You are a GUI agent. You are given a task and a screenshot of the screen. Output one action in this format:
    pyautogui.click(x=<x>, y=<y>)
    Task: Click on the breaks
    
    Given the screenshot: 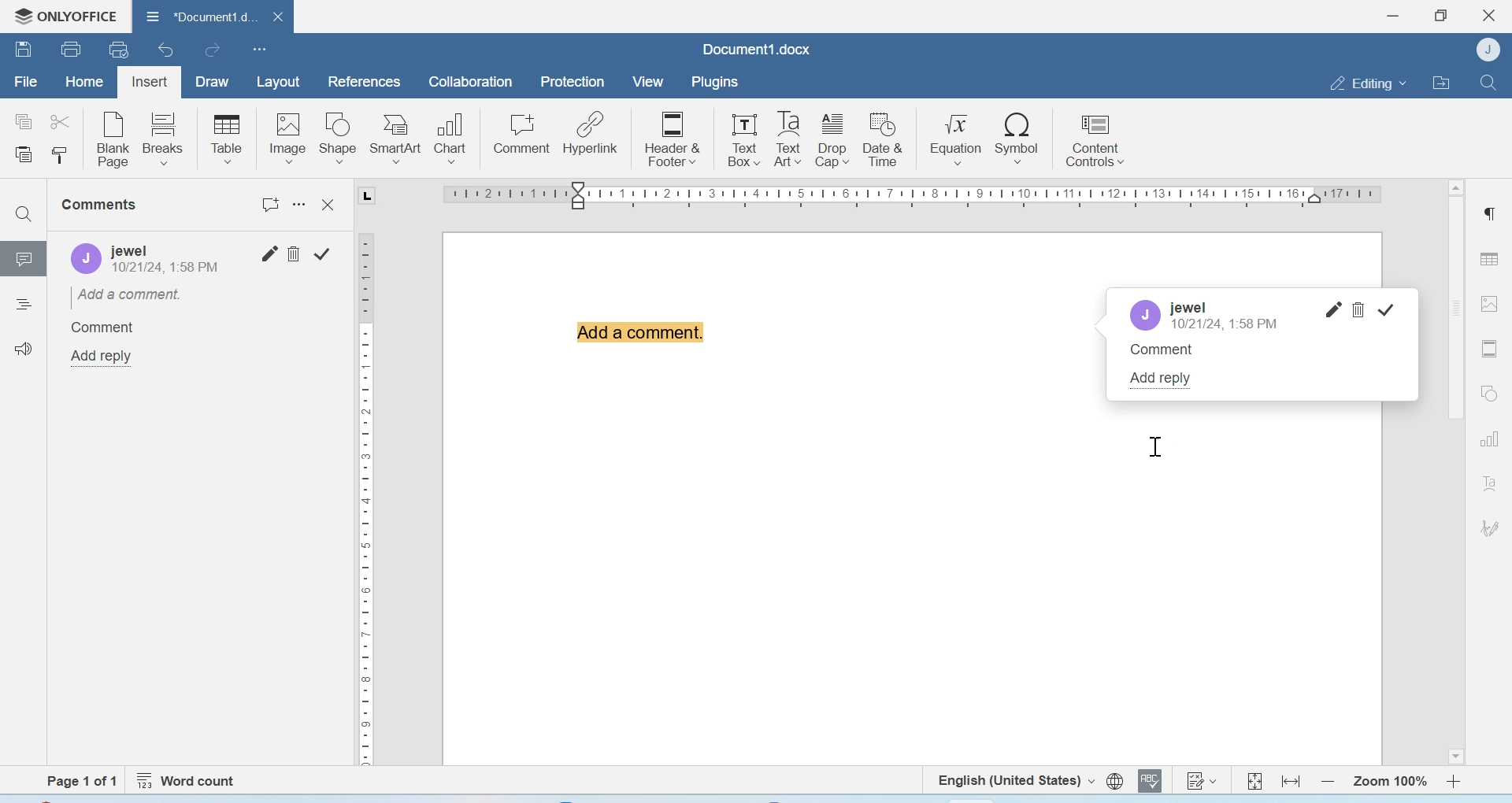 What is the action you would take?
    pyautogui.click(x=164, y=137)
    